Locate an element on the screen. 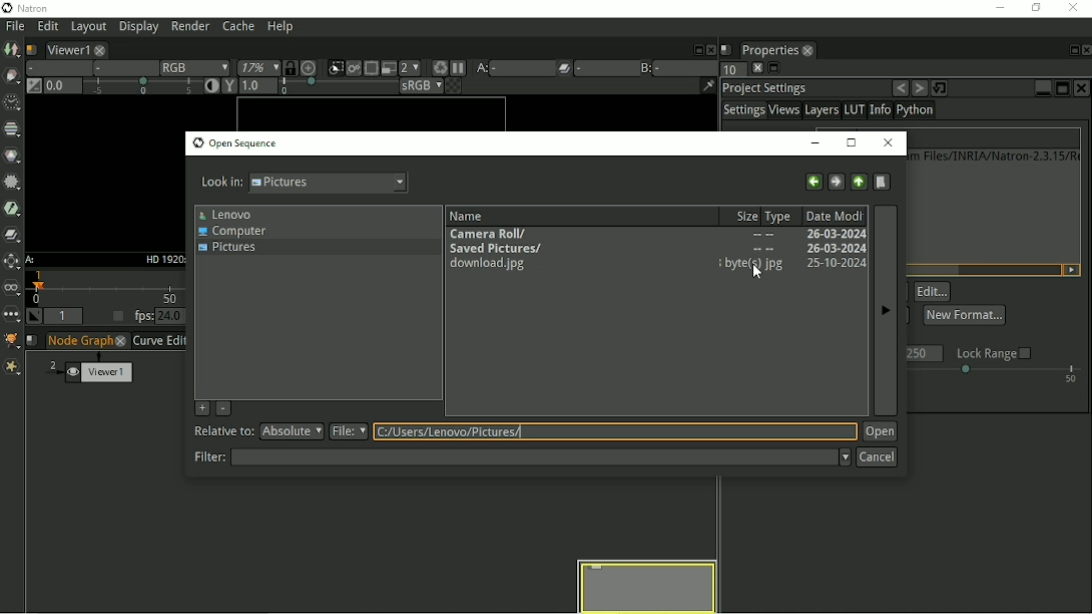  Float pane is located at coordinates (696, 48).